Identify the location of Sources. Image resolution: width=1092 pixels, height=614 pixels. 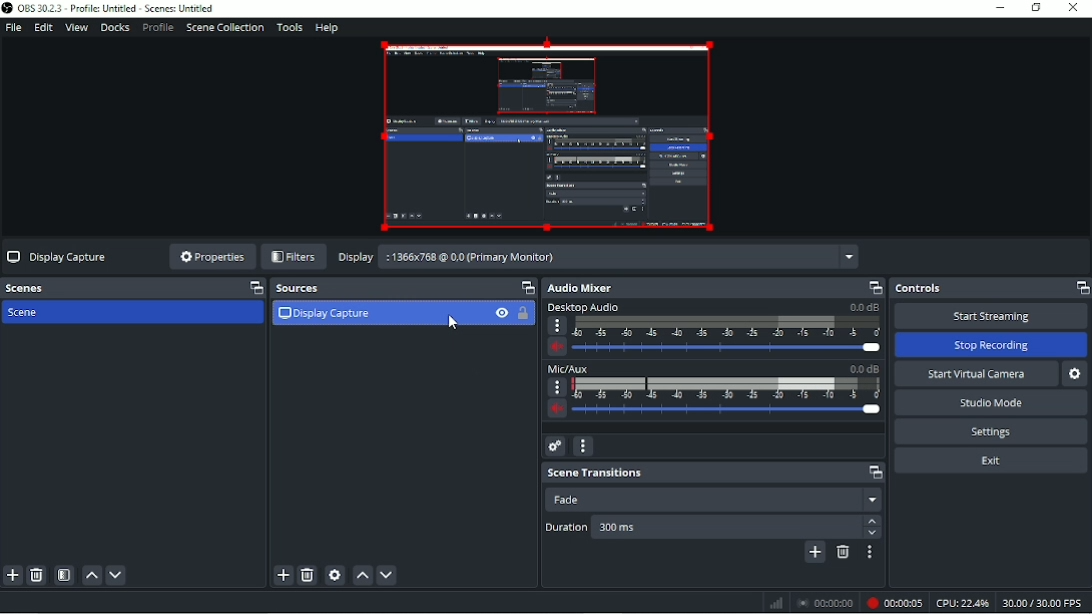
(404, 287).